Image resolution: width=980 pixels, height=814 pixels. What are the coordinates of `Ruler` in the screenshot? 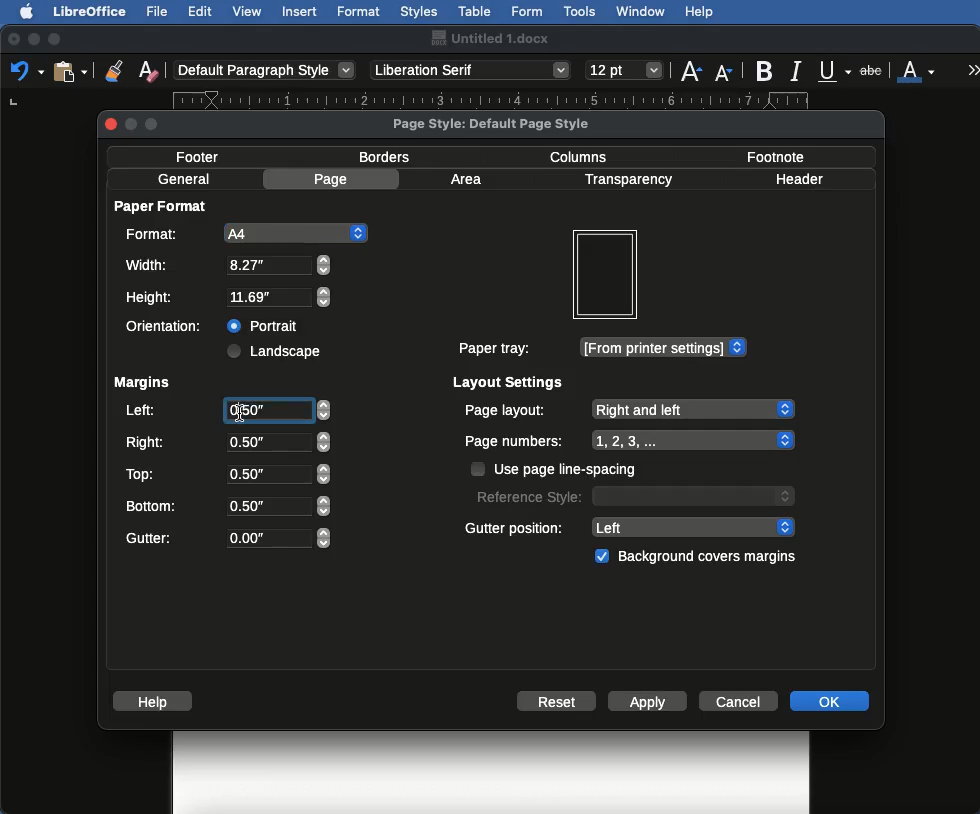 It's located at (506, 102).